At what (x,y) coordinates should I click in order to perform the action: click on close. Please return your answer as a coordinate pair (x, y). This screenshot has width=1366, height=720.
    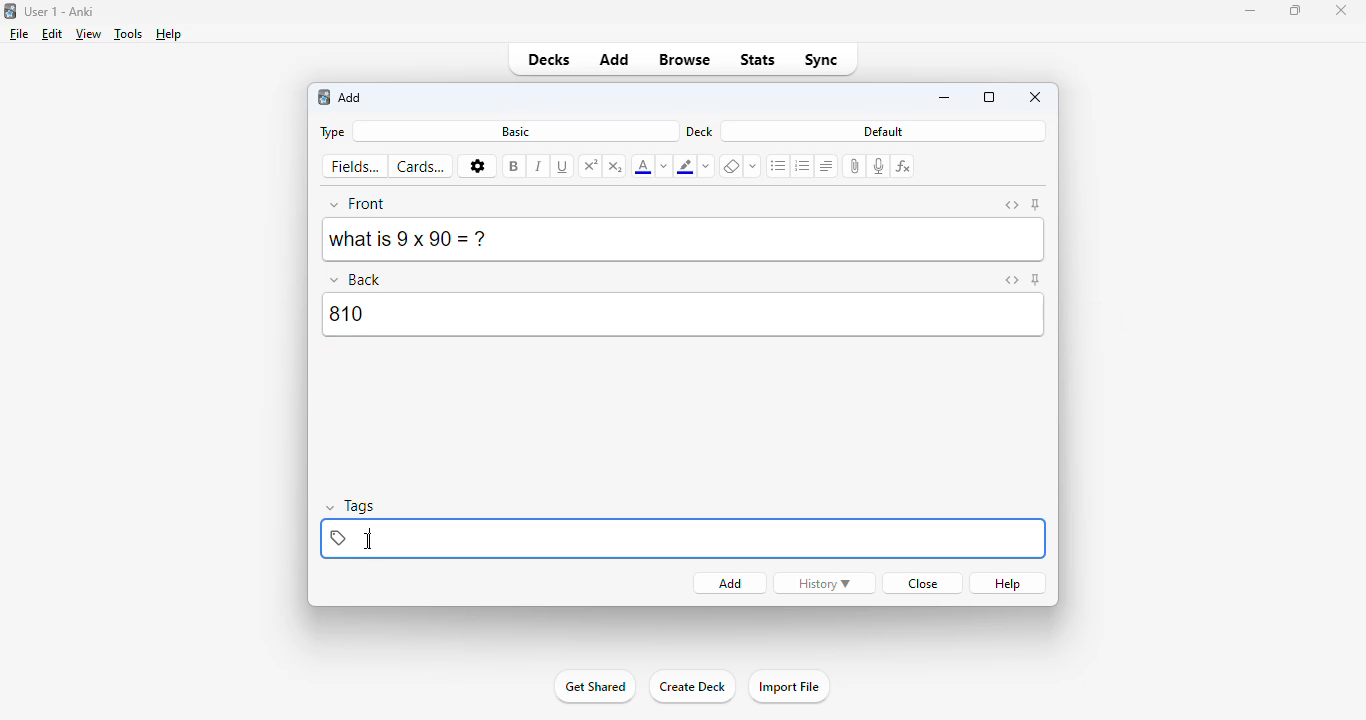
    Looking at the image, I should click on (1036, 96).